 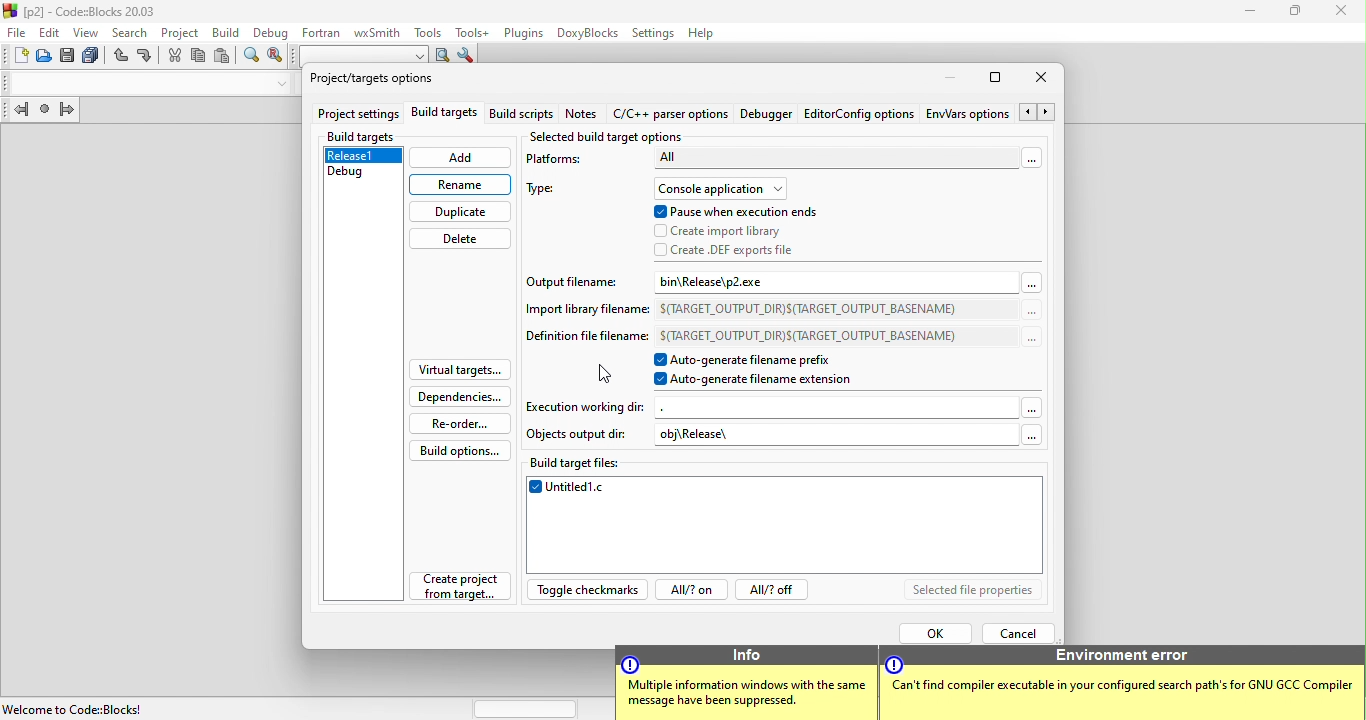 What do you see at coordinates (269, 31) in the screenshot?
I see `debug` at bounding box center [269, 31].